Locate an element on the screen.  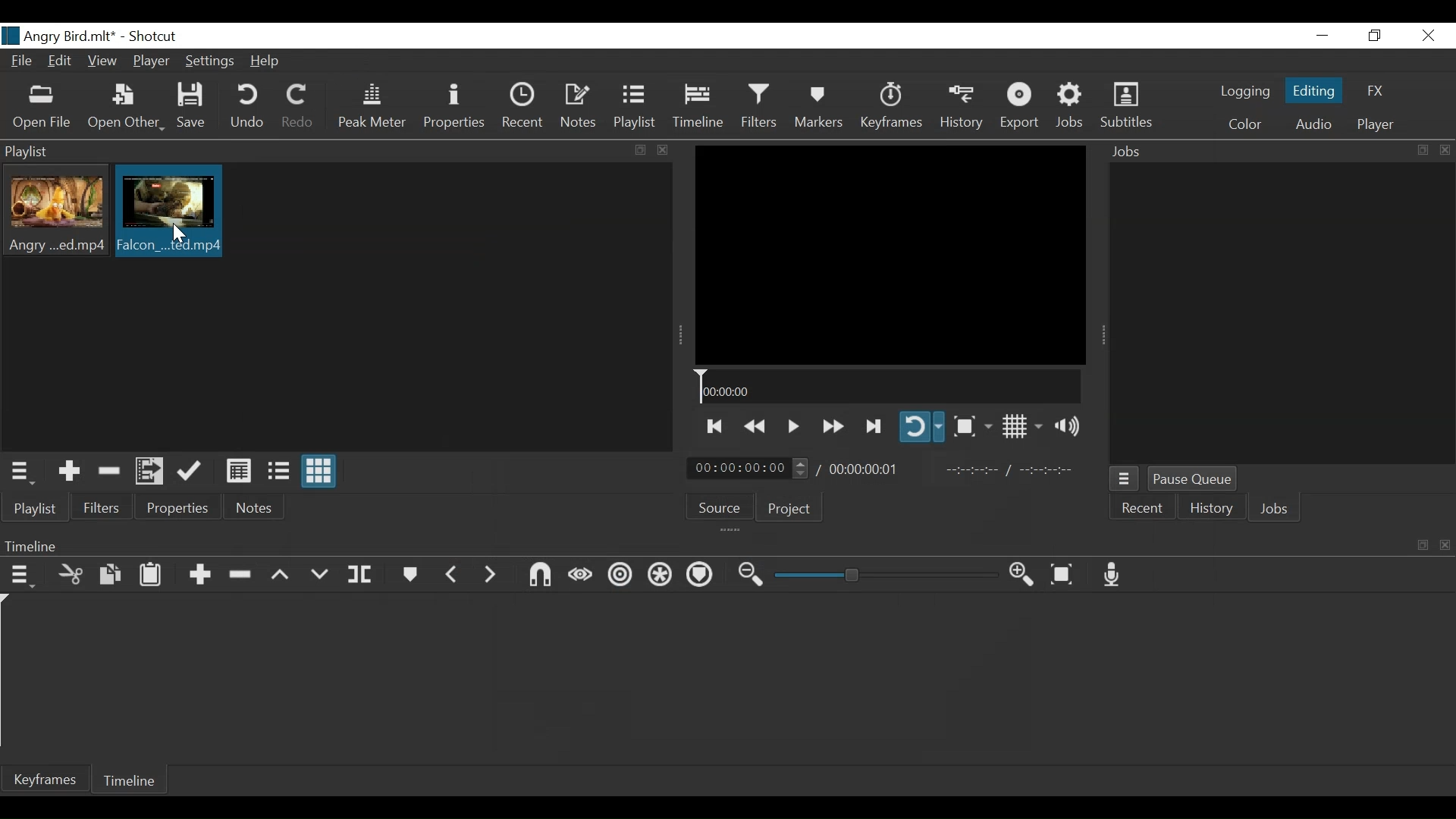
Paste is located at coordinates (152, 578).